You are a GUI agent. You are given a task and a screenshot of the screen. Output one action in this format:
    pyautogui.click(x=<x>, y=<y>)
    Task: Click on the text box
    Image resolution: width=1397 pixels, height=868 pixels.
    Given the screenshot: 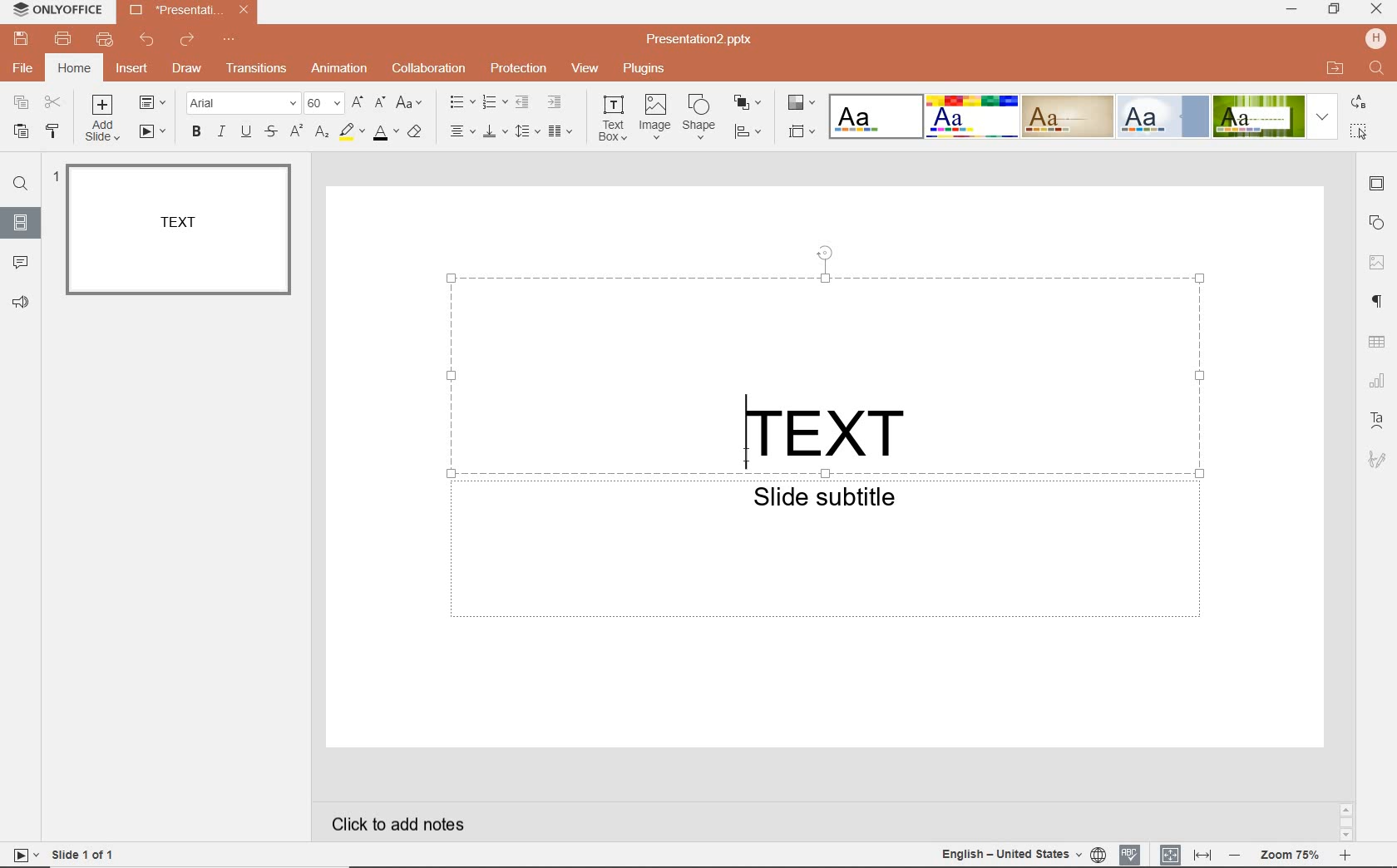 What is the action you would take?
    pyautogui.click(x=614, y=119)
    